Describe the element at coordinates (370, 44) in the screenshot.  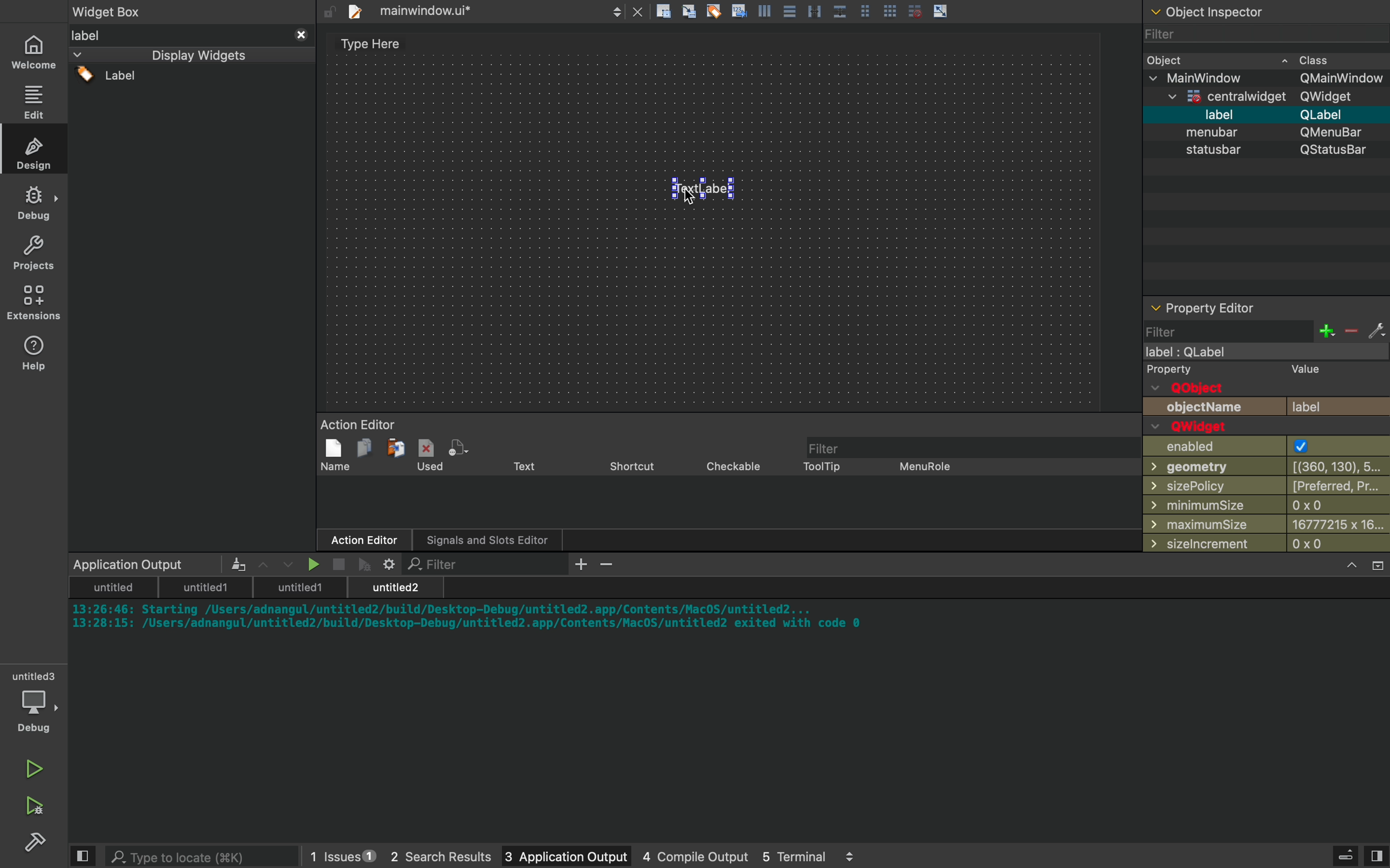
I see `Type Here` at that location.